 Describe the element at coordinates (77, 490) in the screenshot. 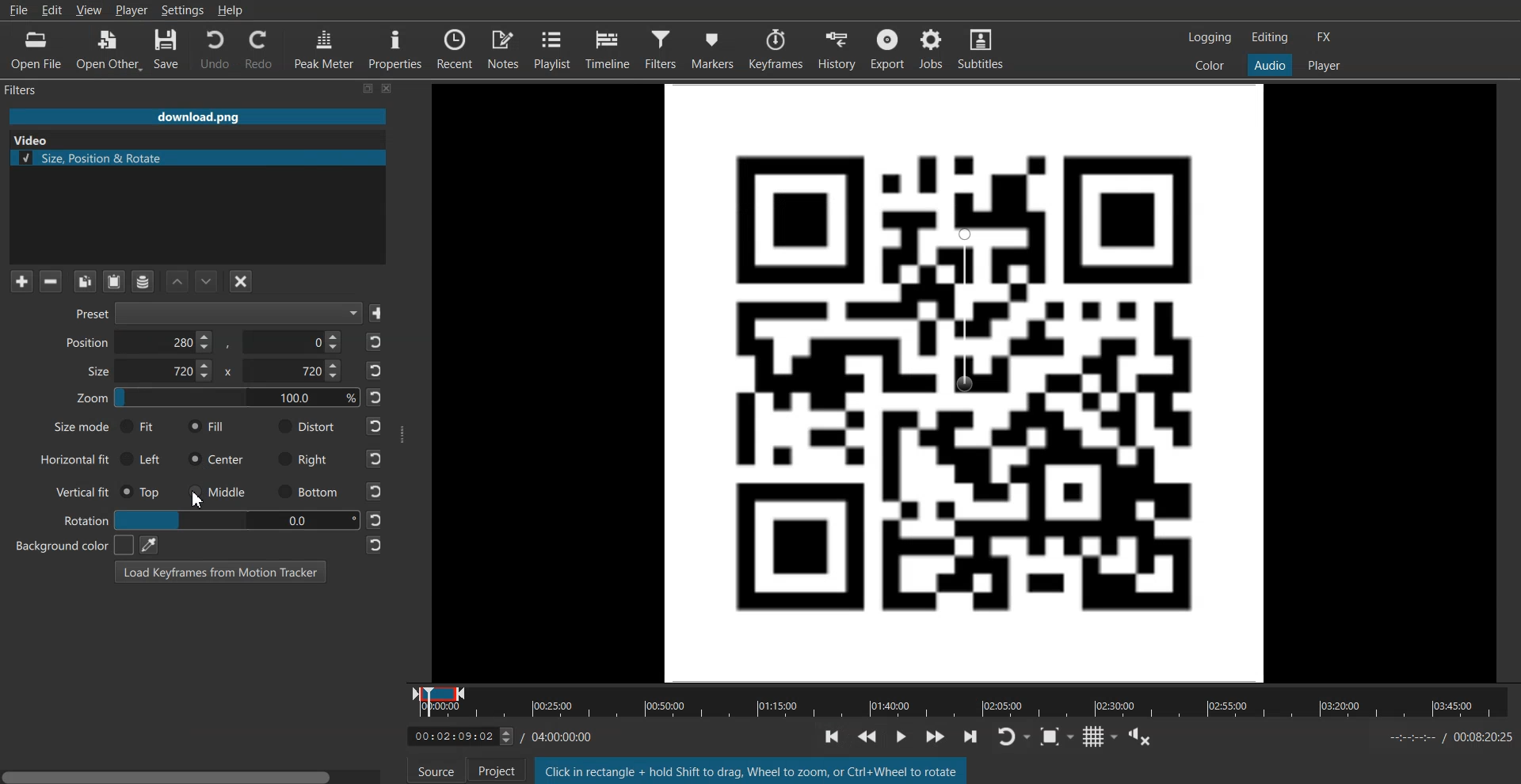

I see `Vertical fit` at that location.